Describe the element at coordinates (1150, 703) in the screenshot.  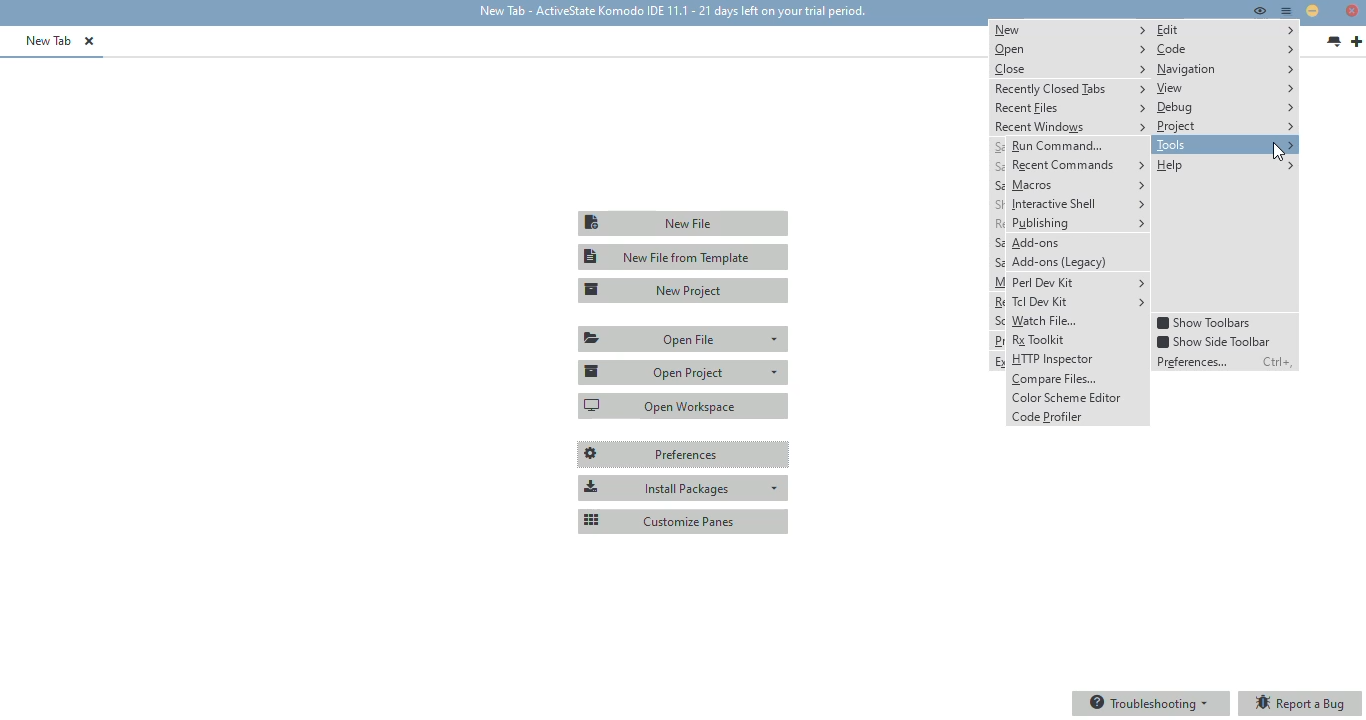
I see `troubleshooting` at that location.